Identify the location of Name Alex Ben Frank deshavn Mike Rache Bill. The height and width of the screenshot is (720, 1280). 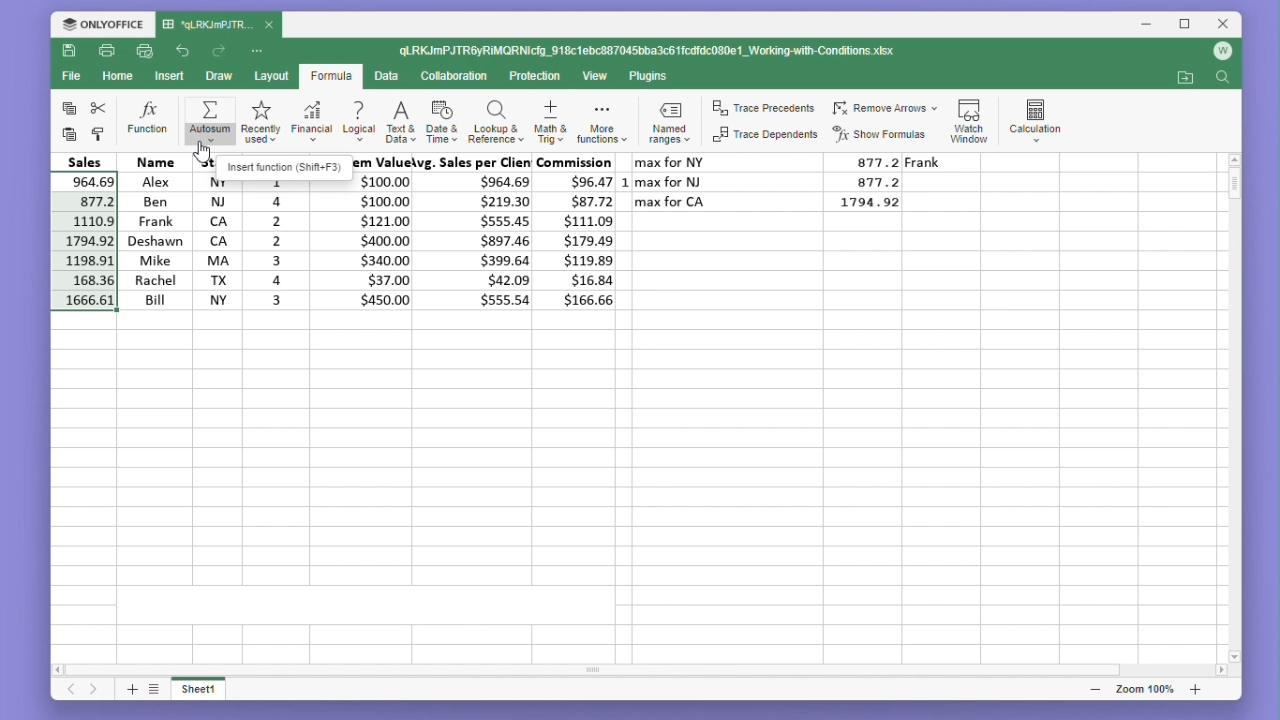
(154, 231).